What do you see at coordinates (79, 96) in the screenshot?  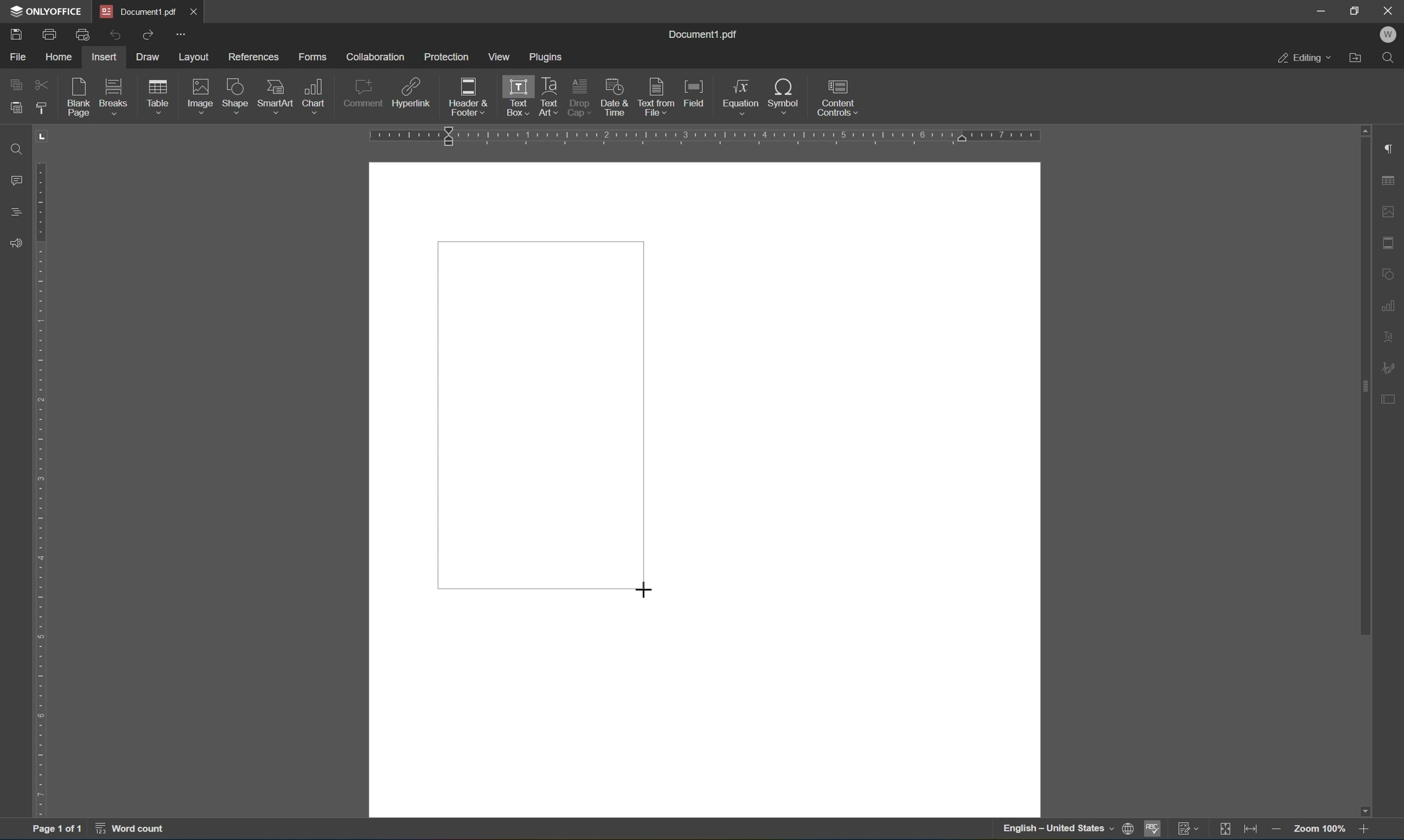 I see `blank page` at bounding box center [79, 96].